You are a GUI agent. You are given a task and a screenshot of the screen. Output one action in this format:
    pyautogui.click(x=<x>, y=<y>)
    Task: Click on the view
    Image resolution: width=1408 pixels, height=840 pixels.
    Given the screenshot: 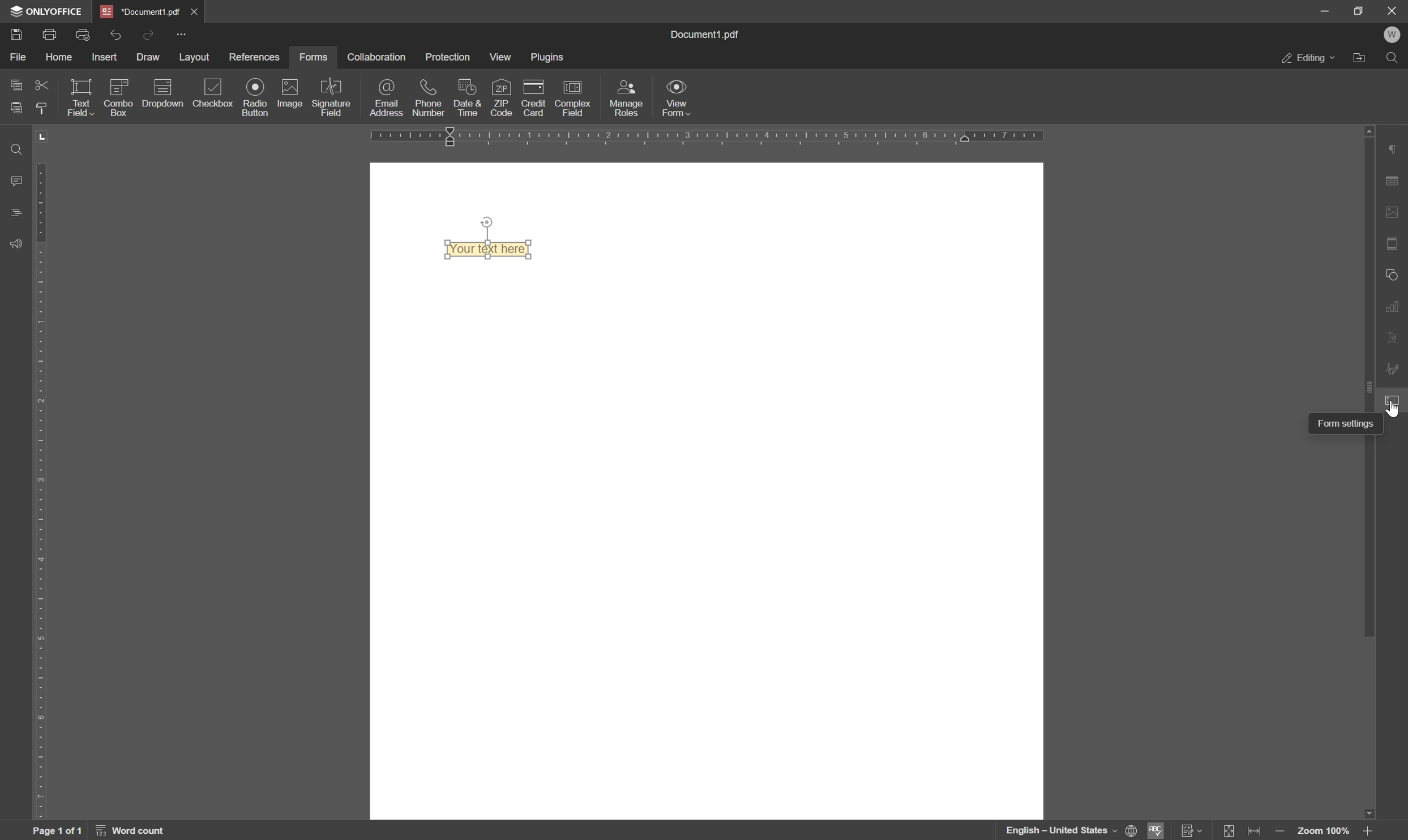 What is the action you would take?
    pyautogui.click(x=502, y=58)
    